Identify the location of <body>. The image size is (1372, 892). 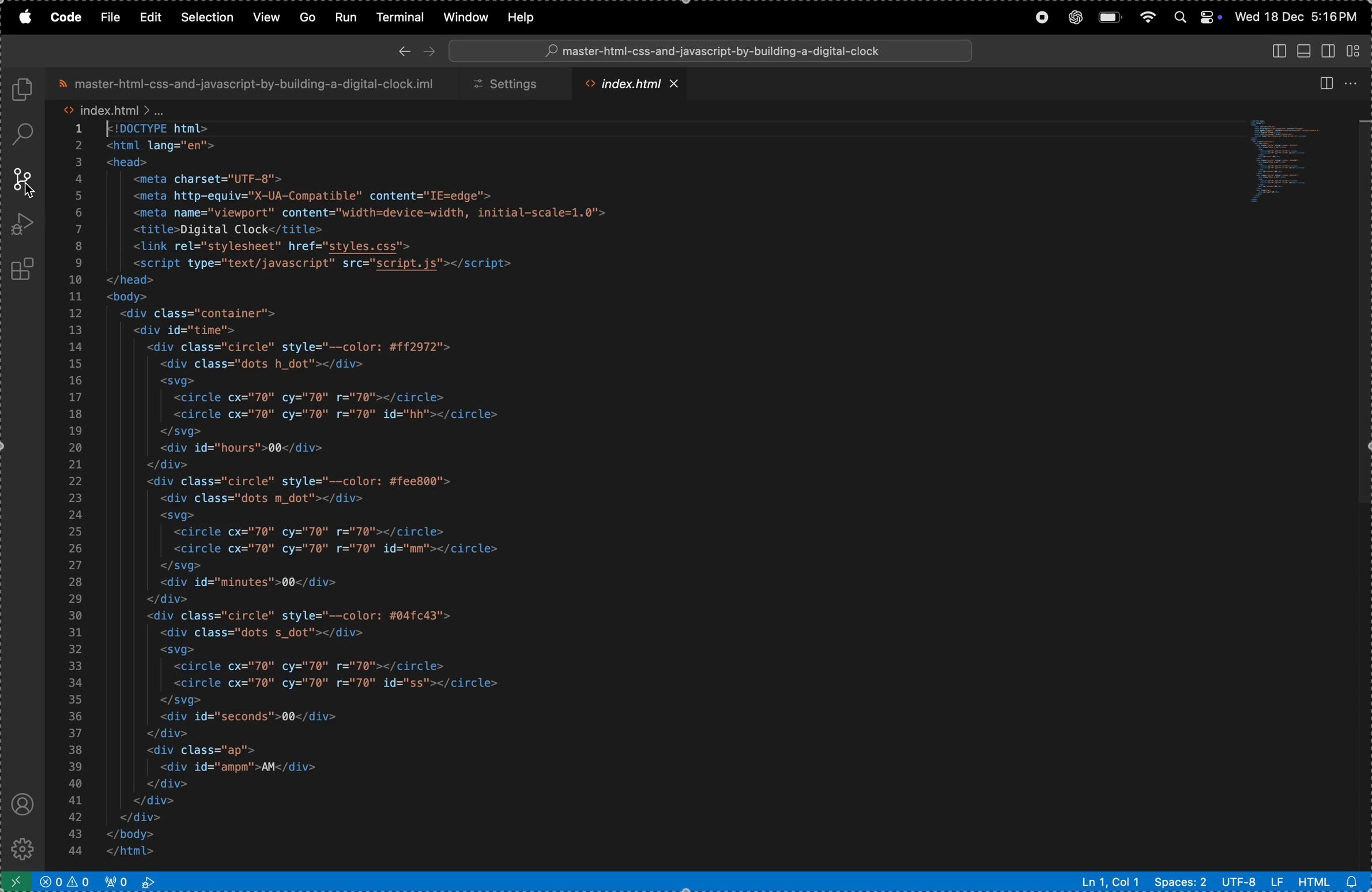
(128, 296).